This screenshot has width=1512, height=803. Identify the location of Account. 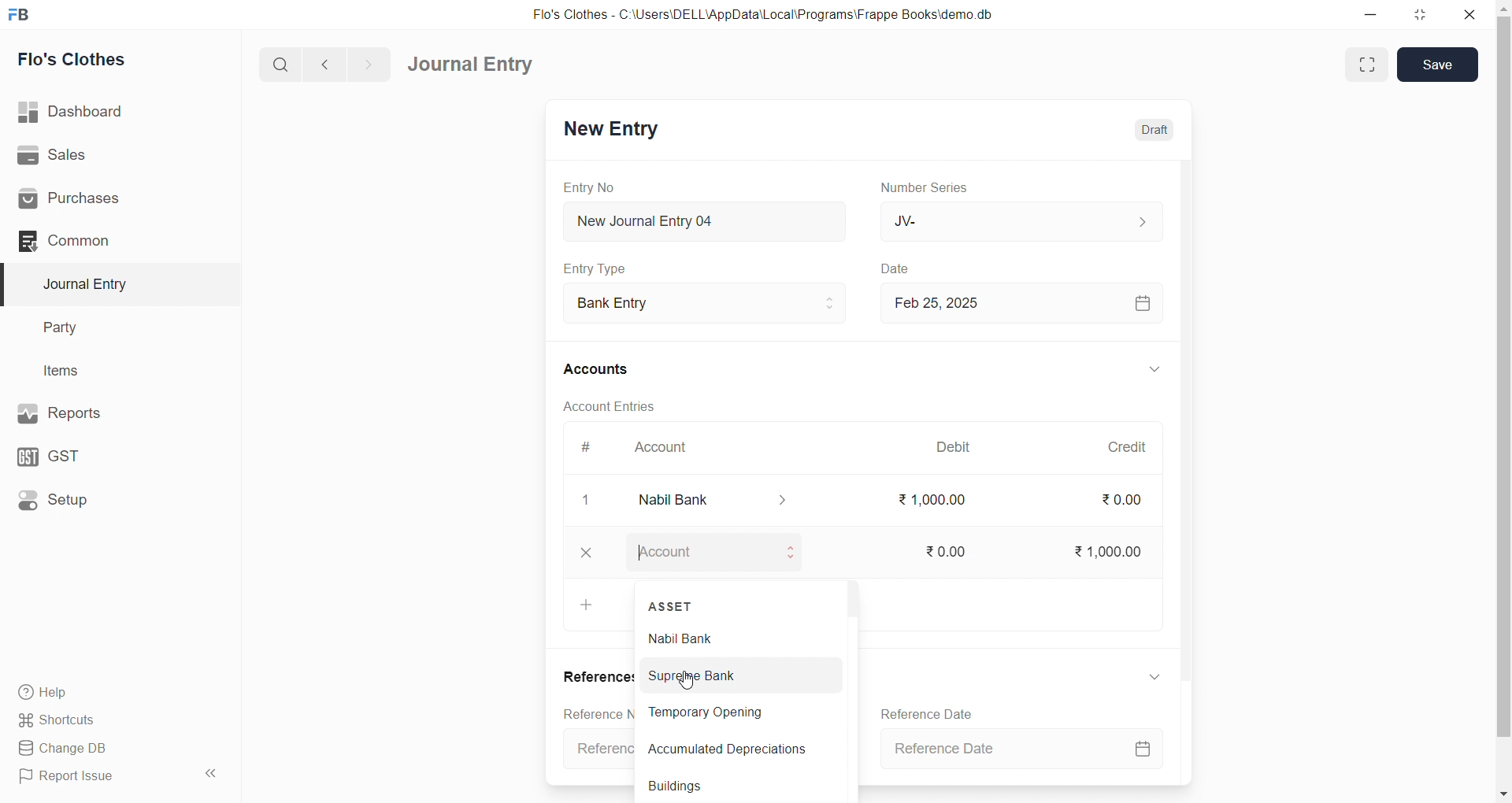
(715, 555).